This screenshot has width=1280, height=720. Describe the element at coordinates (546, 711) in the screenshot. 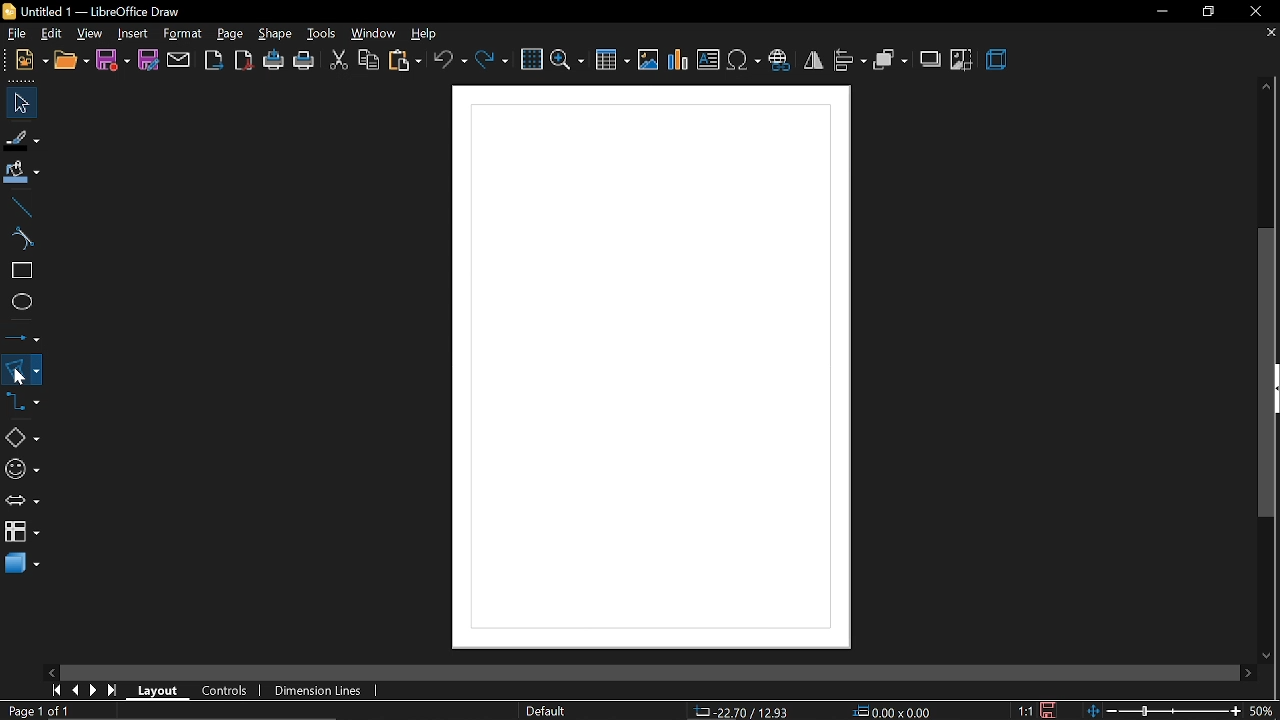

I see `page style` at that location.